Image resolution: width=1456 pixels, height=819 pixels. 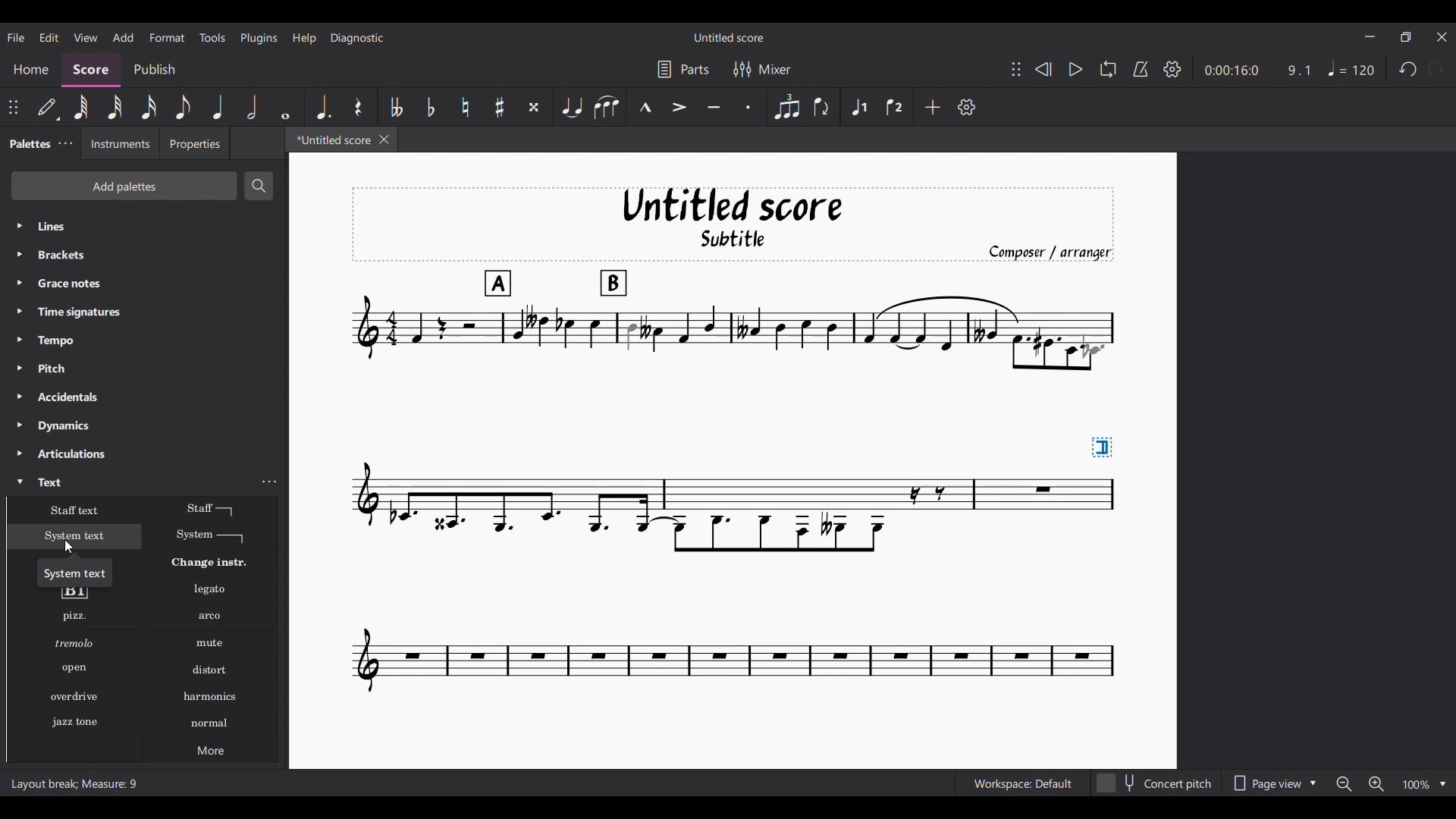 What do you see at coordinates (1298, 70) in the screenshot?
I see `9.1` at bounding box center [1298, 70].